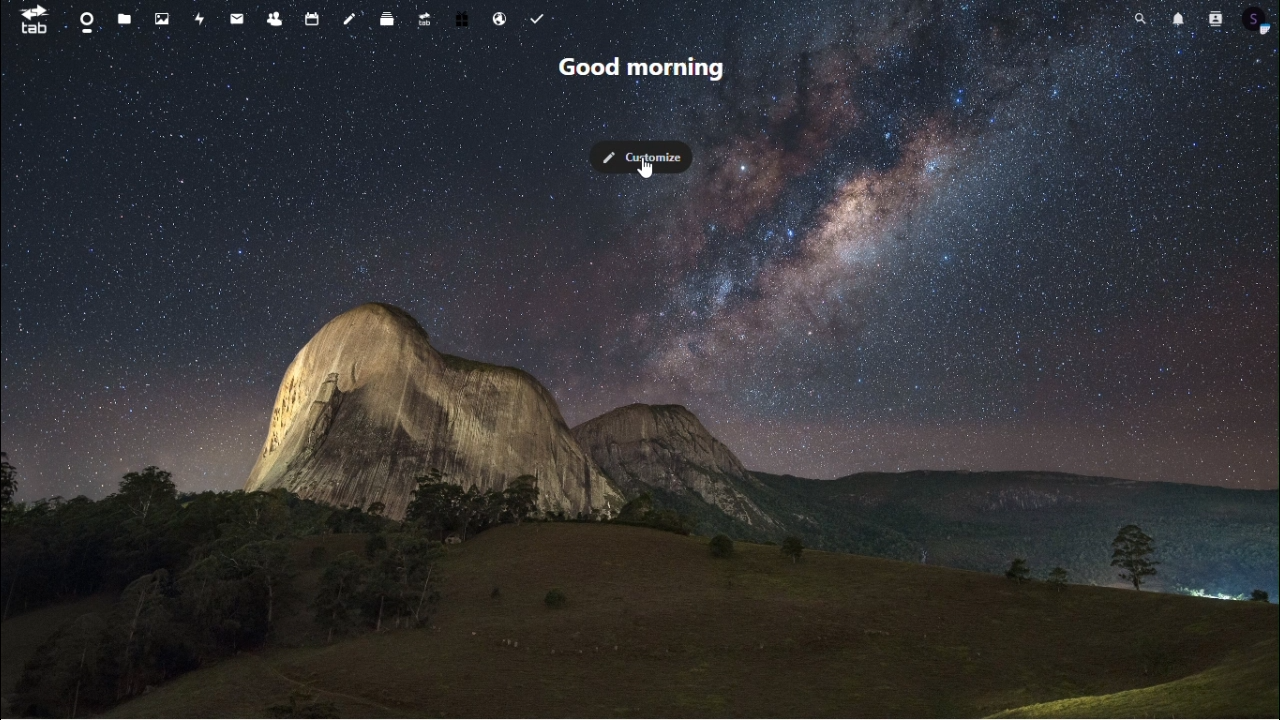  Describe the element at coordinates (1216, 23) in the screenshot. I see `contacts` at that location.